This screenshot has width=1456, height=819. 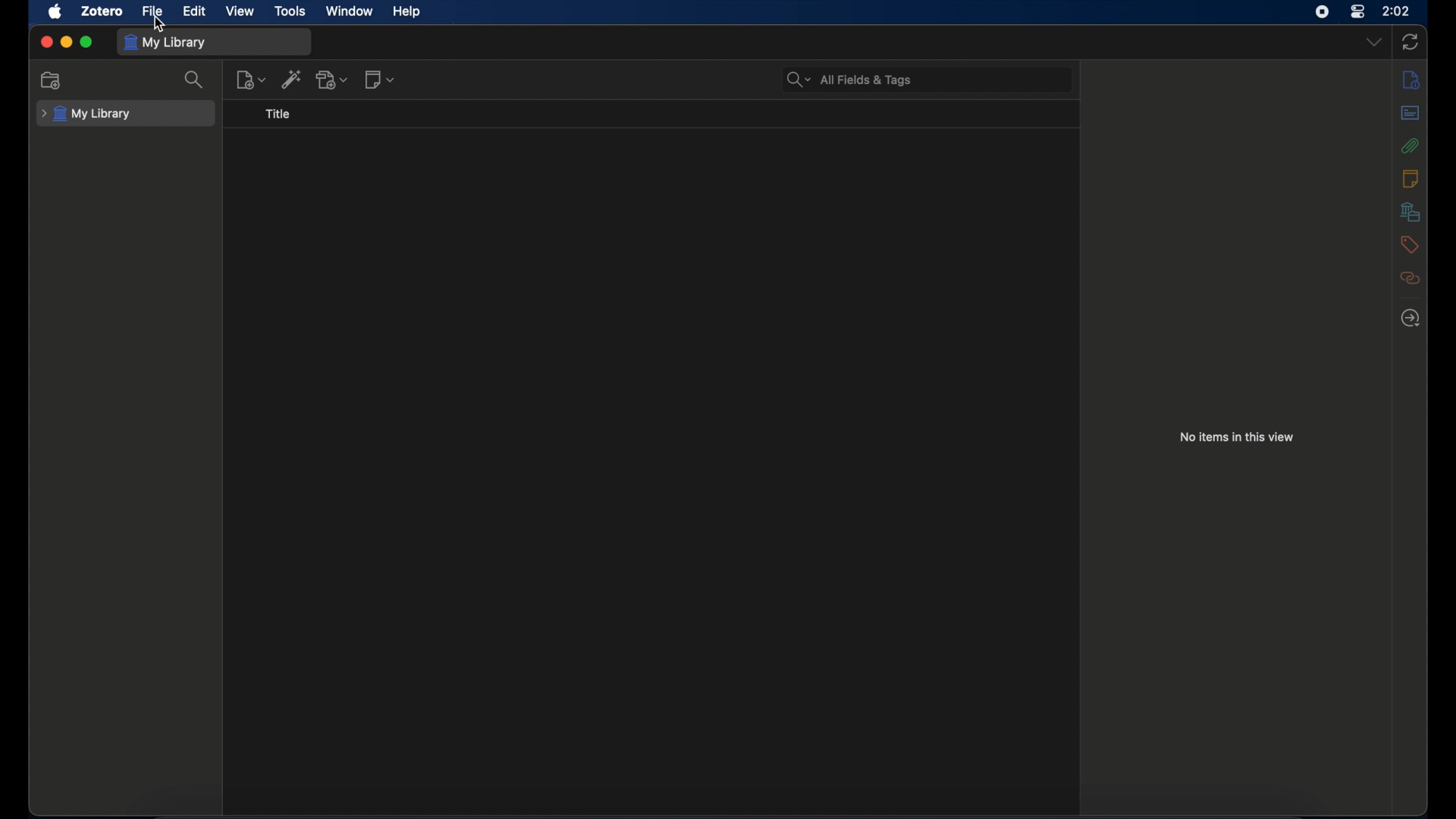 I want to click on info, so click(x=1412, y=79).